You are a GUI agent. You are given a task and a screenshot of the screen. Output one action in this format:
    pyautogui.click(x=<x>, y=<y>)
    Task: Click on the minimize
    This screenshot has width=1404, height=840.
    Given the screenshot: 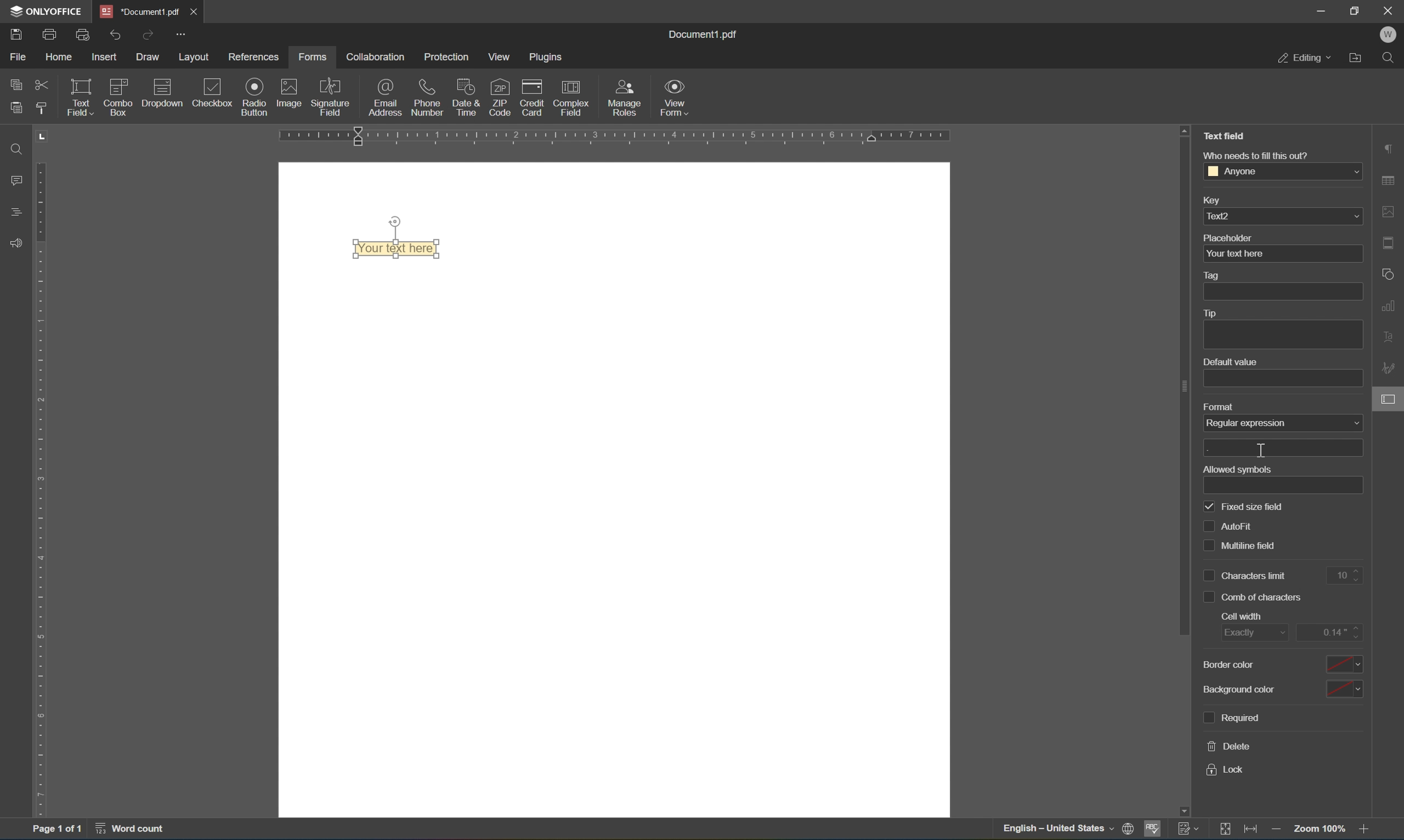 What is the action you would take?
    pyautogui.click(x=1321, y=12)
    